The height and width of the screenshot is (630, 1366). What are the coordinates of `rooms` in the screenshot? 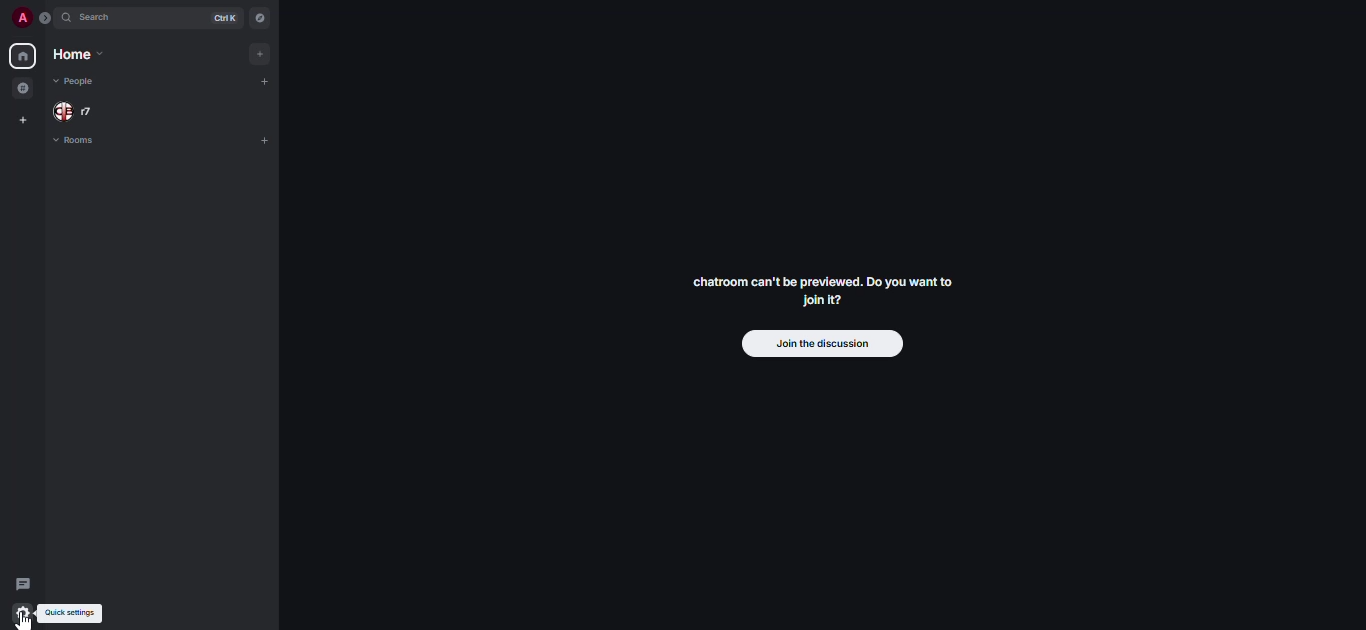 It's located at (74, 141).